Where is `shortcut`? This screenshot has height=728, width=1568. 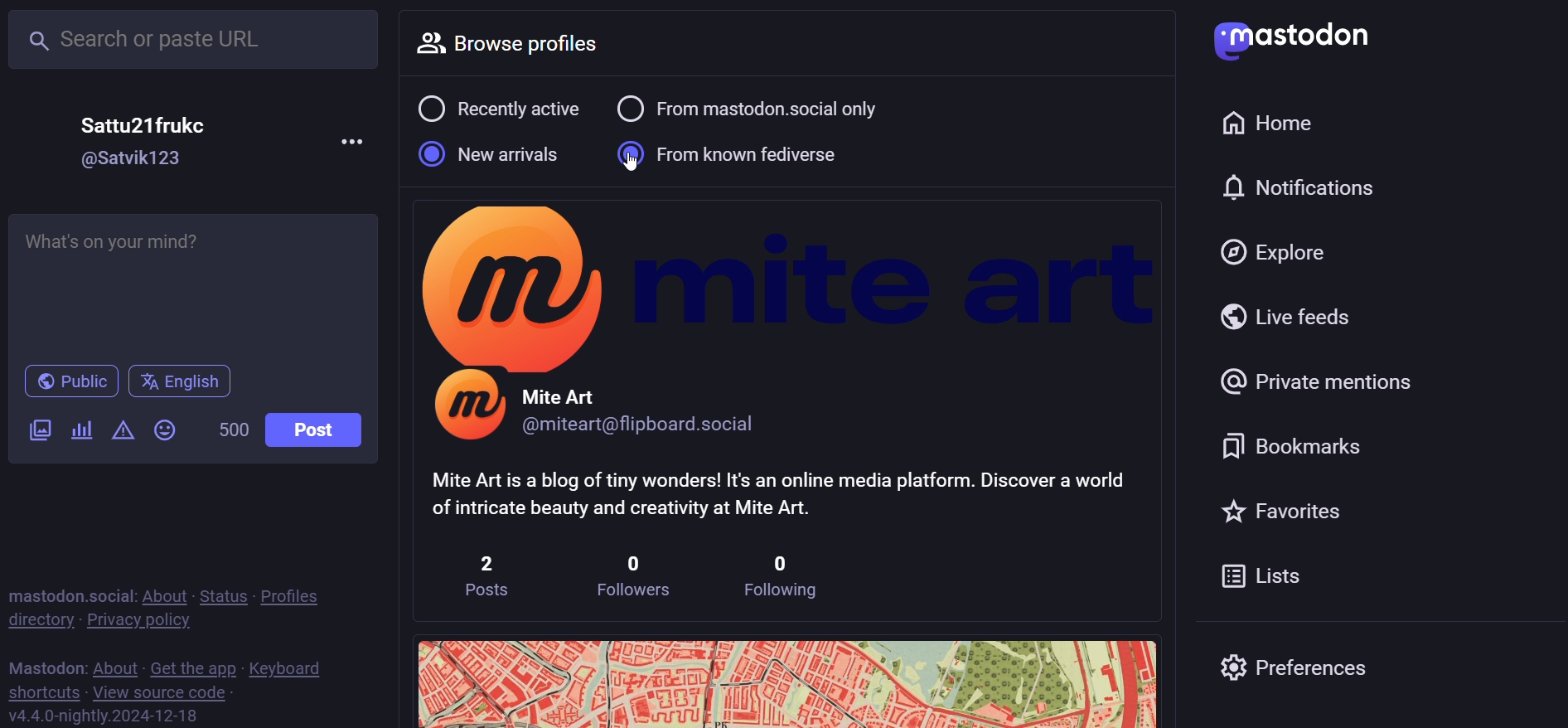
shortcut is located at coordinates (38, 693).